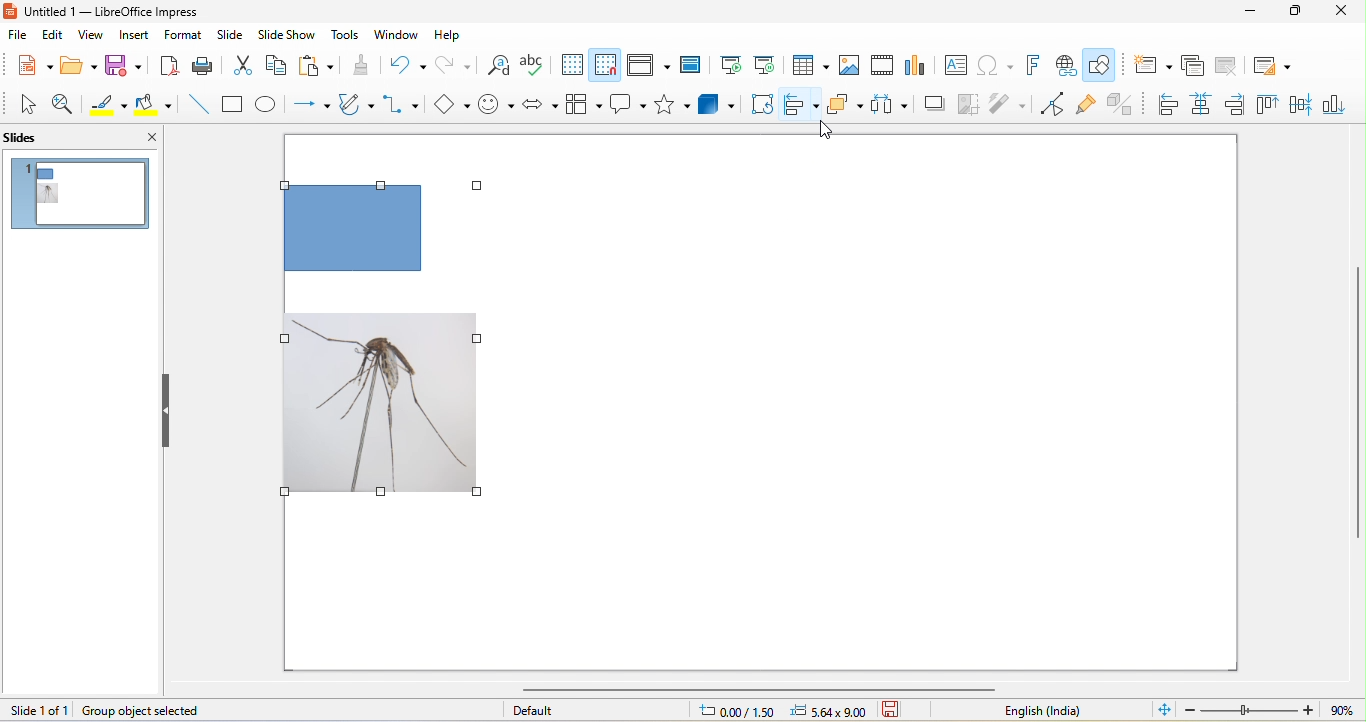 The height and width of the screenshot is (722, 1366). I want to click on close, so click(1336, 13).